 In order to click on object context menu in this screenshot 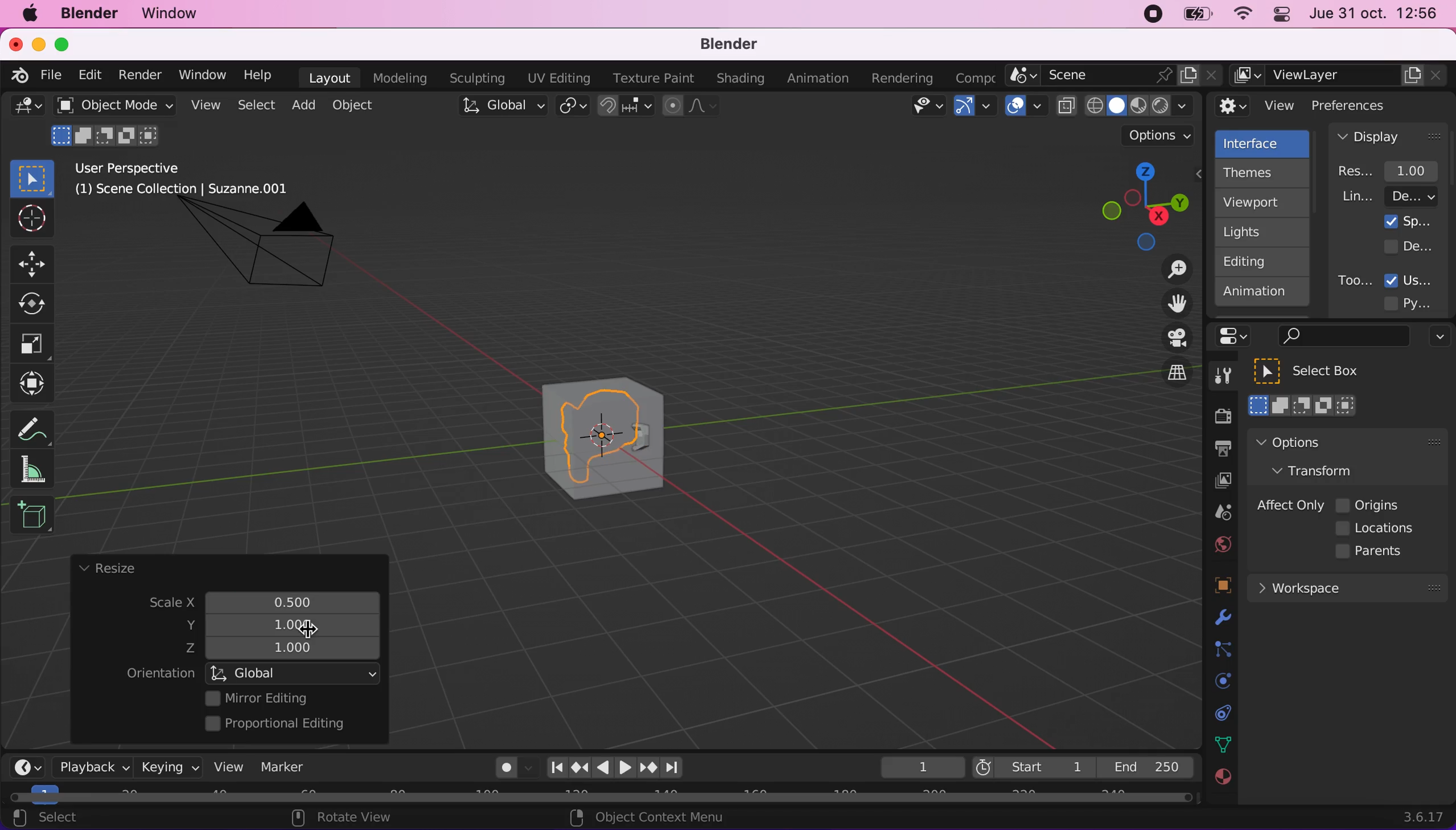, I will do `click(651, 817)`.